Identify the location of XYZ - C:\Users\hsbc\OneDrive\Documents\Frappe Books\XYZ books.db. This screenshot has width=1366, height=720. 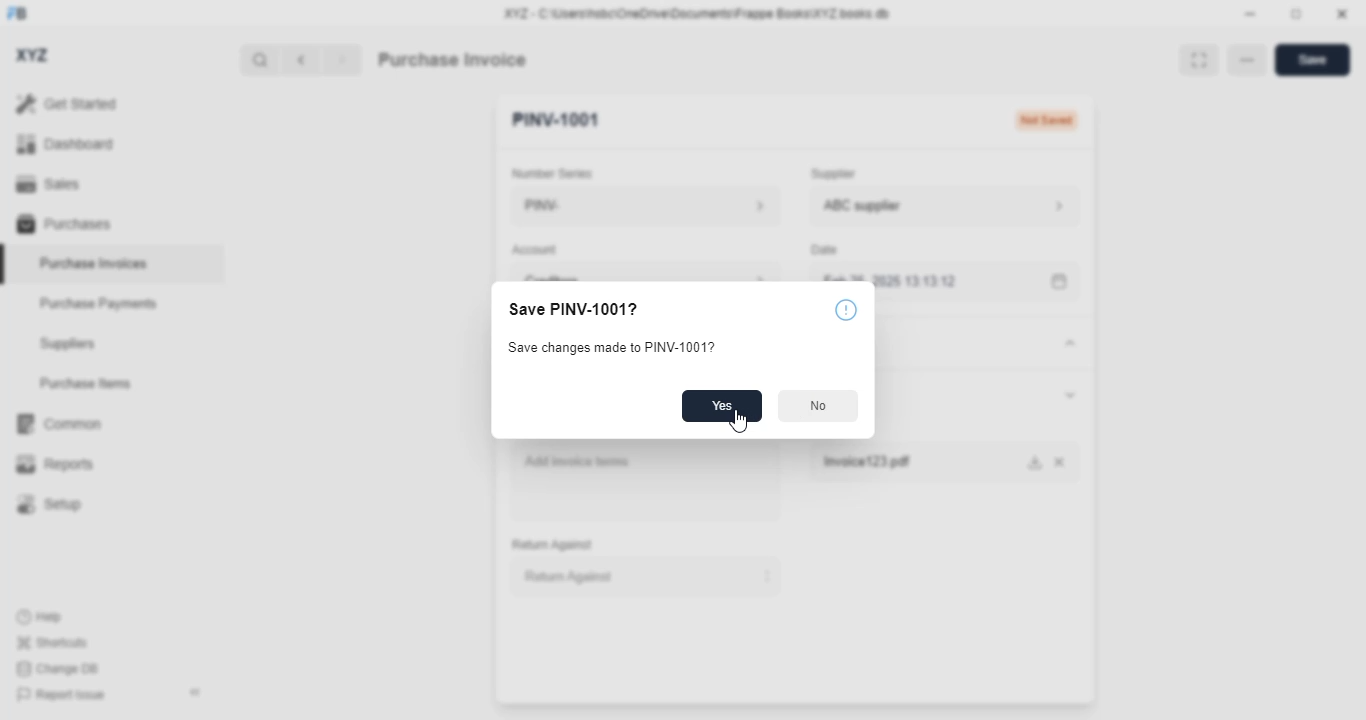
(697, 13).